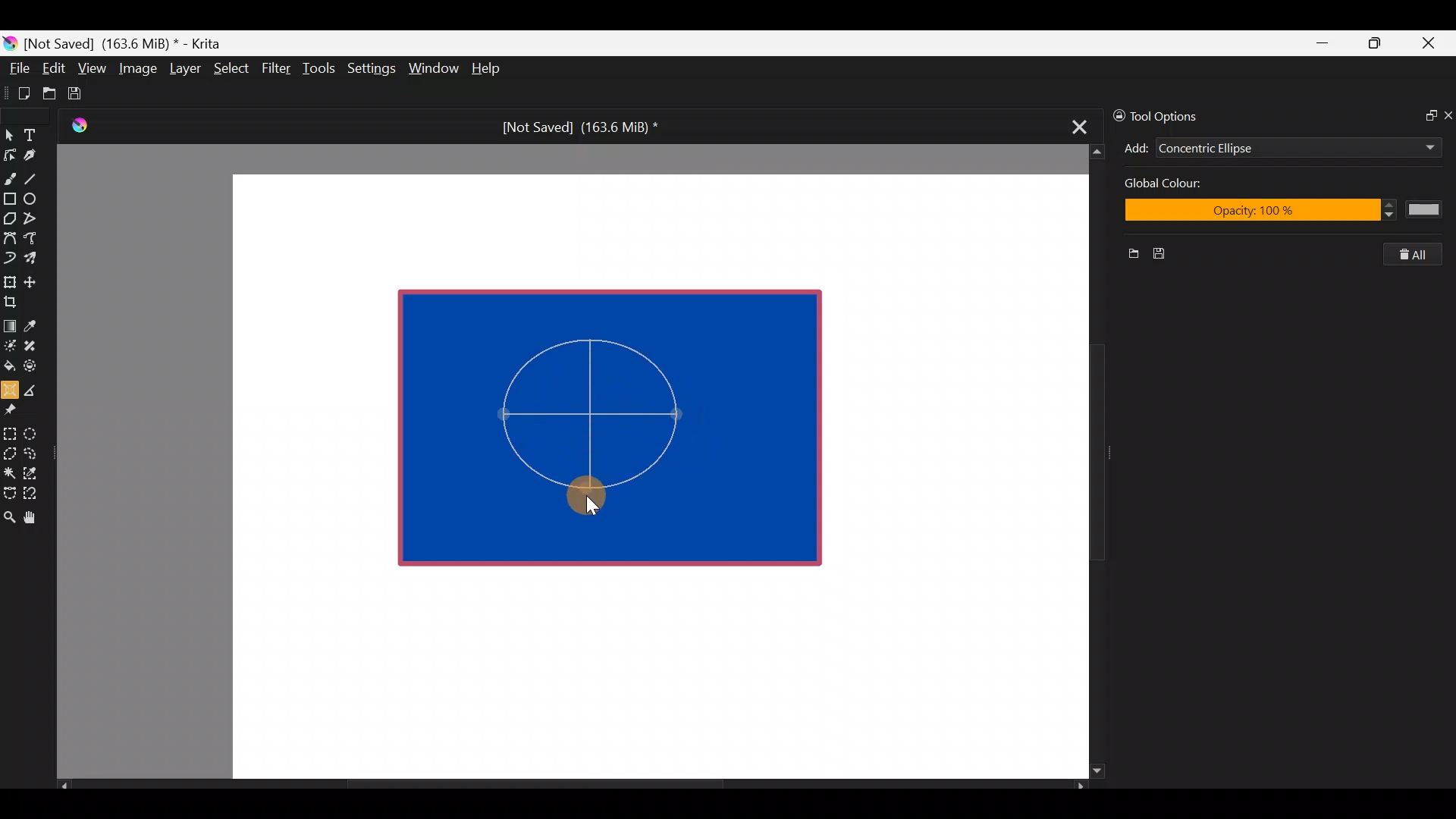 The height and width of the screenshot is (819, 1456). I want to click on Float docker, so click(1424, 114).